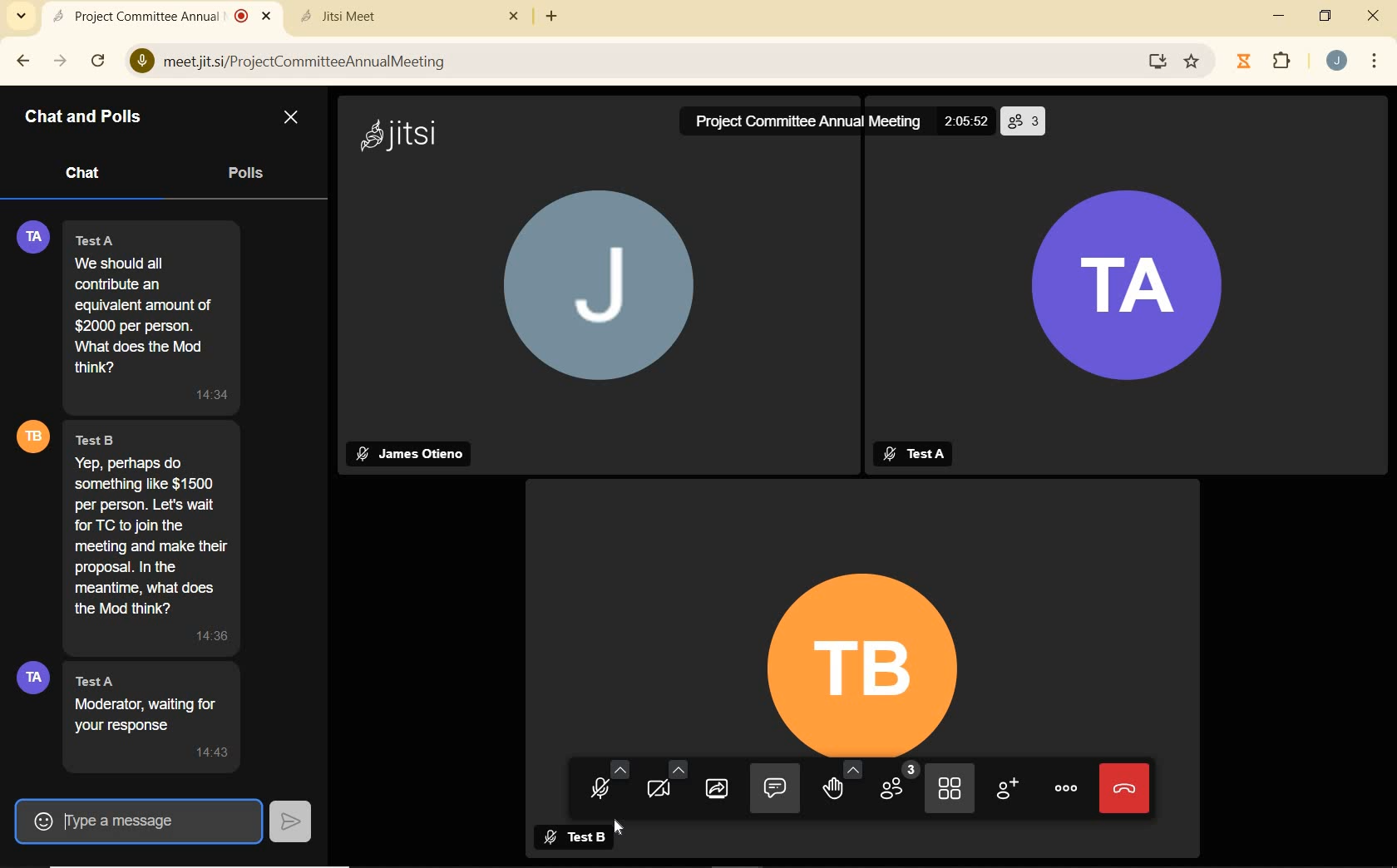 The height and width of the screenshot is (868, 1397). I want to click on Project Committee Annual Meeting, so click(797, 122).